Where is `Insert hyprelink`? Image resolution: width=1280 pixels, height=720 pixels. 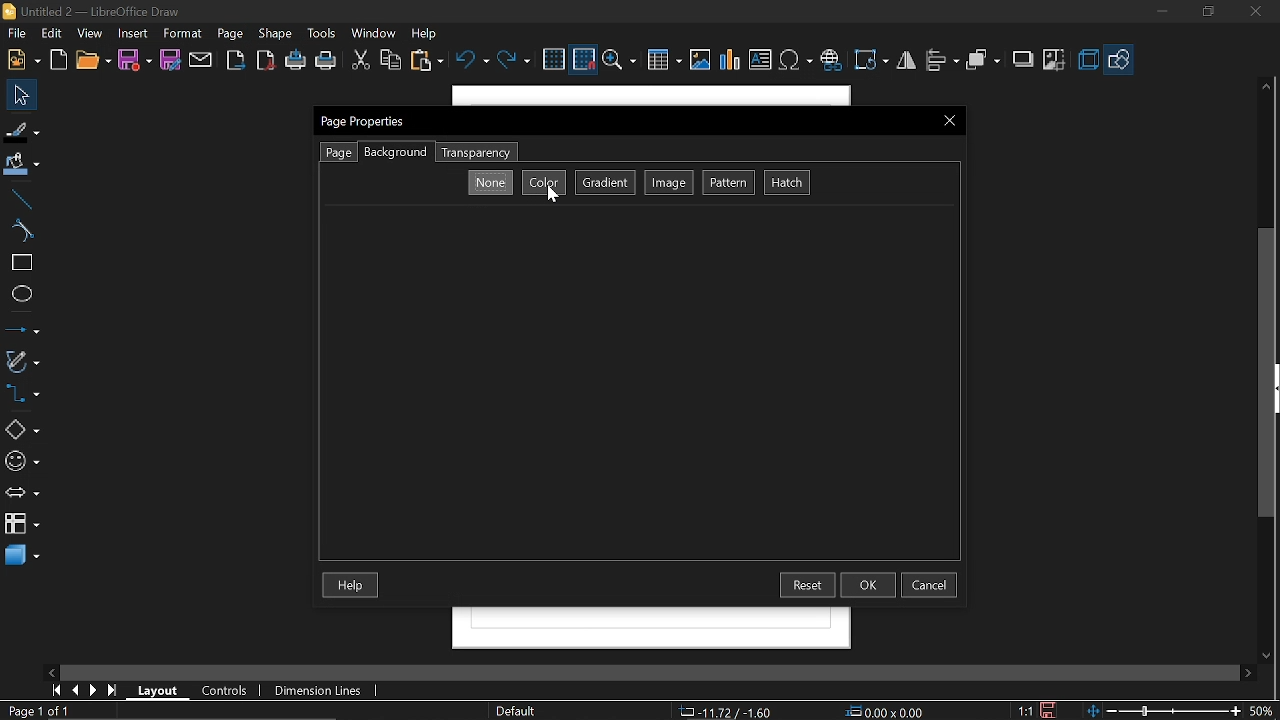
Insert hyprelink is located at coordinates (831, 61).